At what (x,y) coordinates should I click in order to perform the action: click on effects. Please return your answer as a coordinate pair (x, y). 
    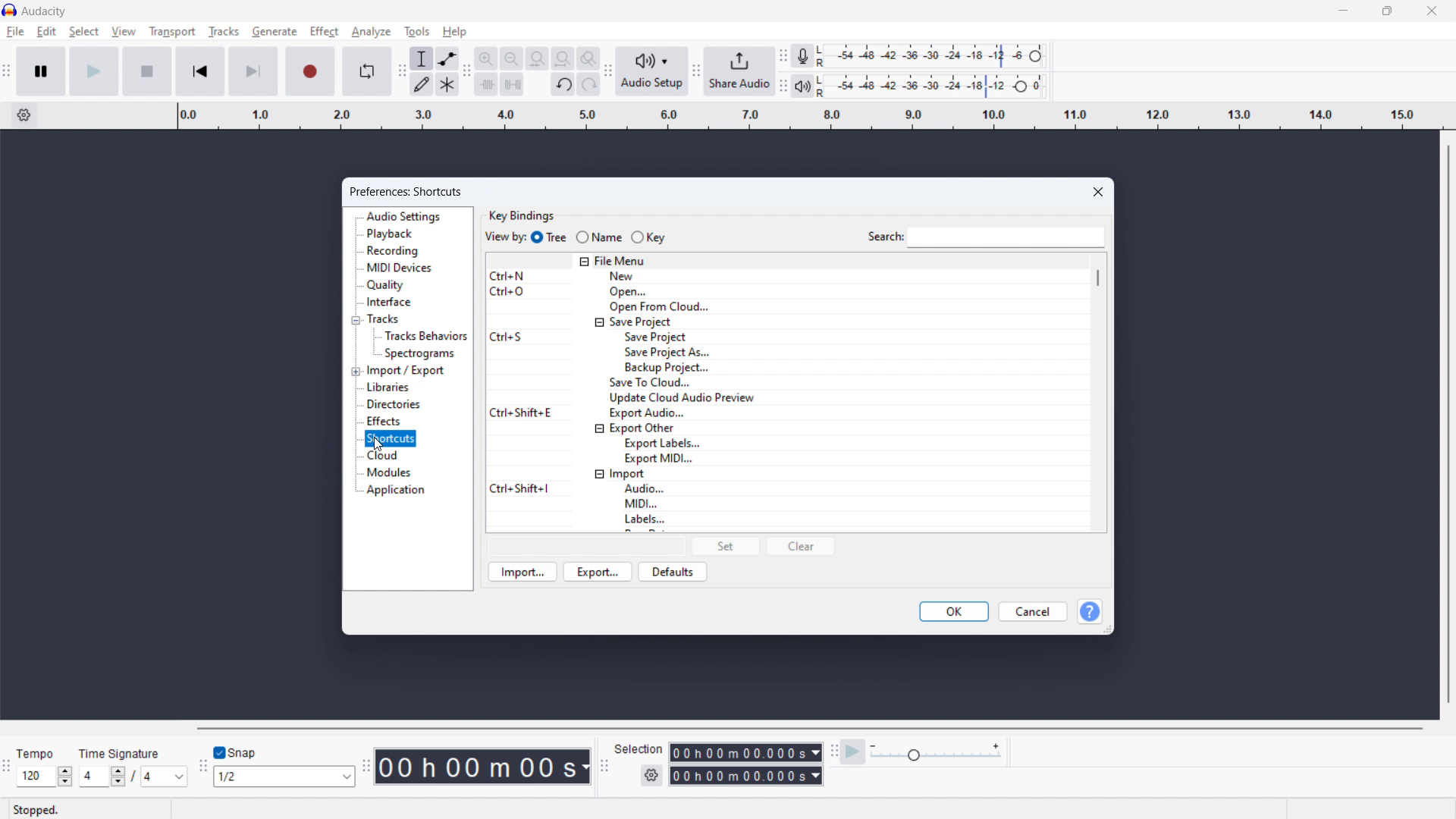
    Looking at the image, I should click on (387, 422).